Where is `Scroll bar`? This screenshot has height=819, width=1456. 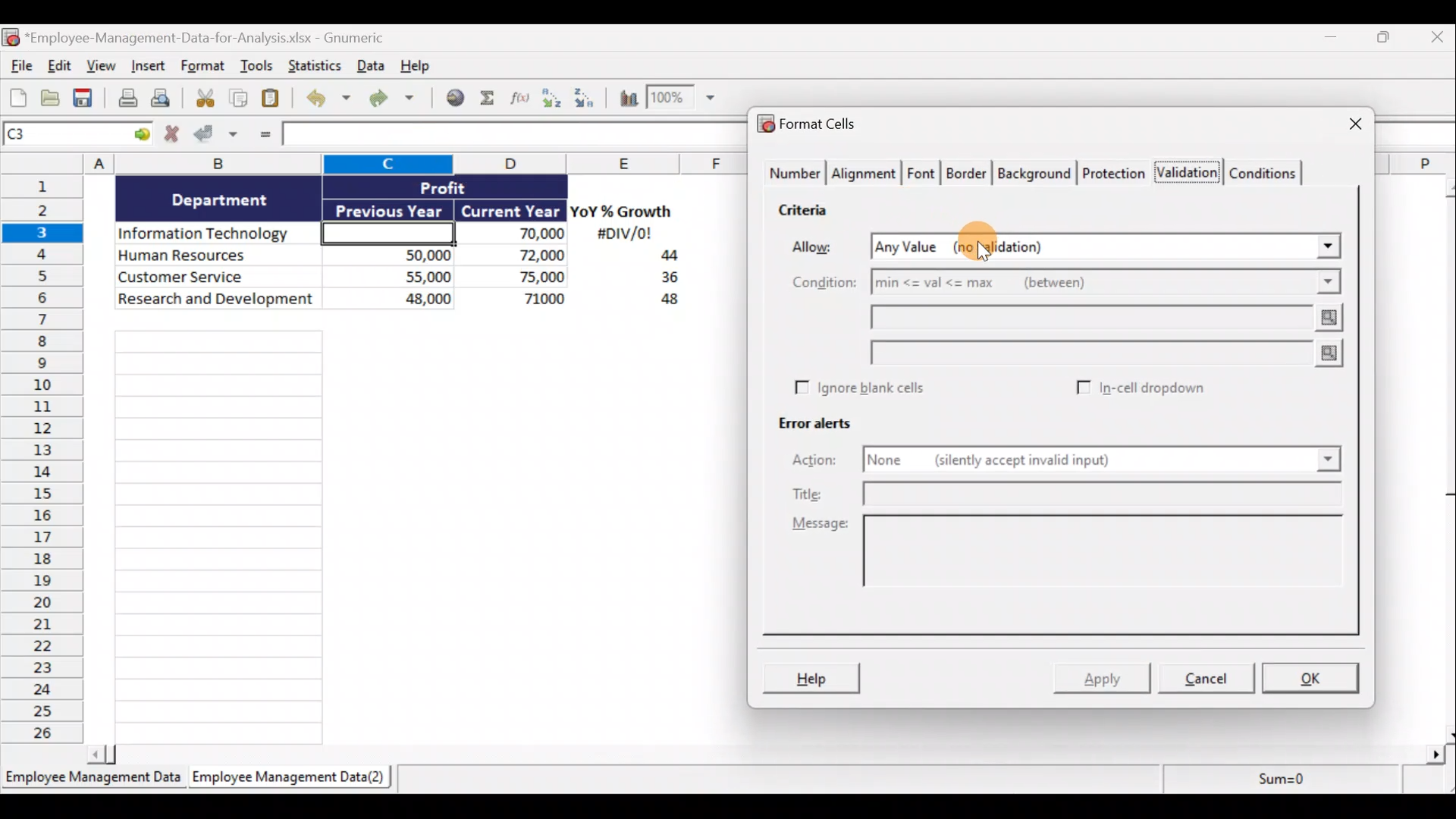 Scroll bar is located at coordinates (1443, 457).